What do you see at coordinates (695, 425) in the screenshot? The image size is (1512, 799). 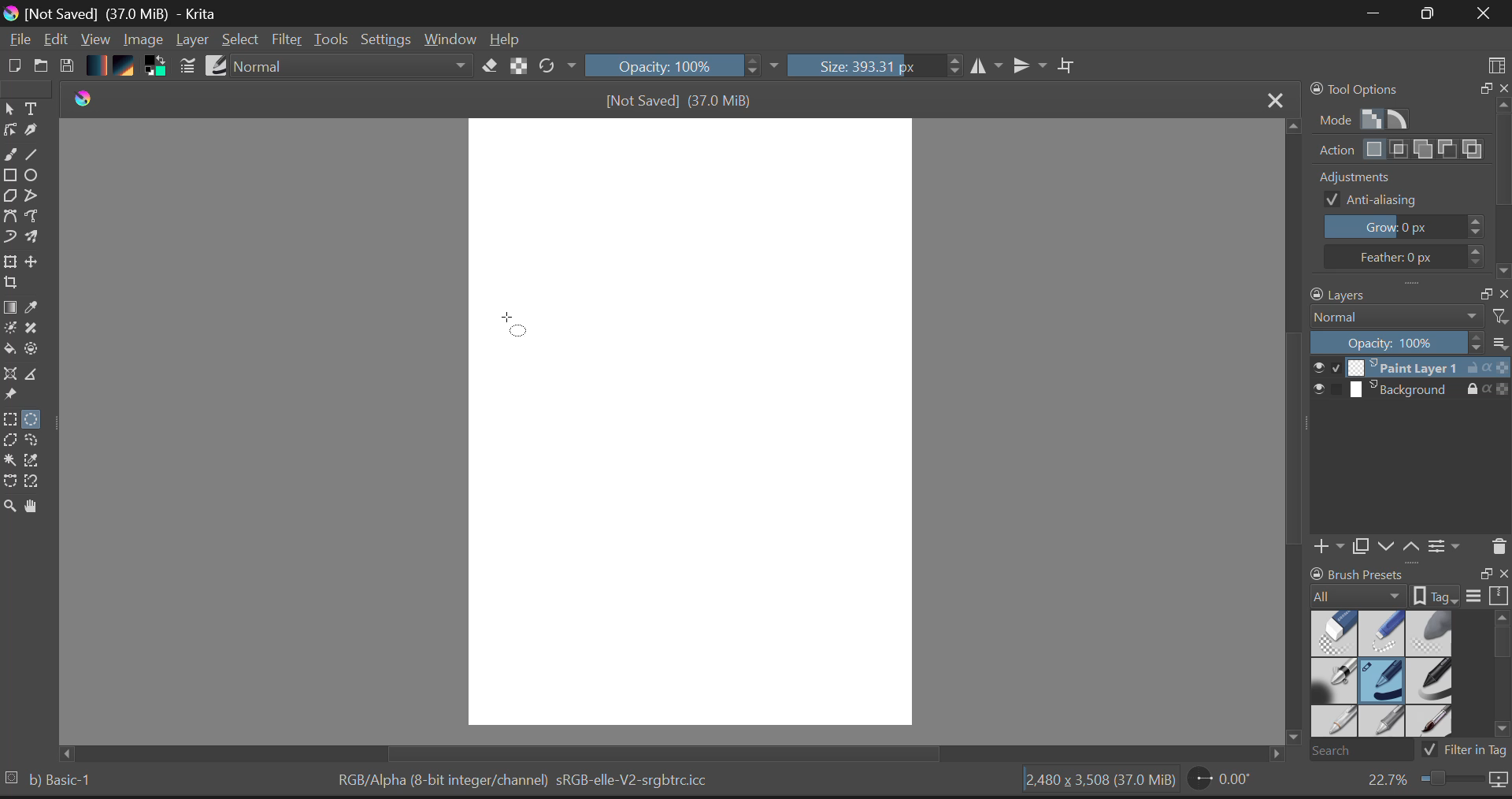 I see `Blank Workspace` at bounding box center [695, 425].